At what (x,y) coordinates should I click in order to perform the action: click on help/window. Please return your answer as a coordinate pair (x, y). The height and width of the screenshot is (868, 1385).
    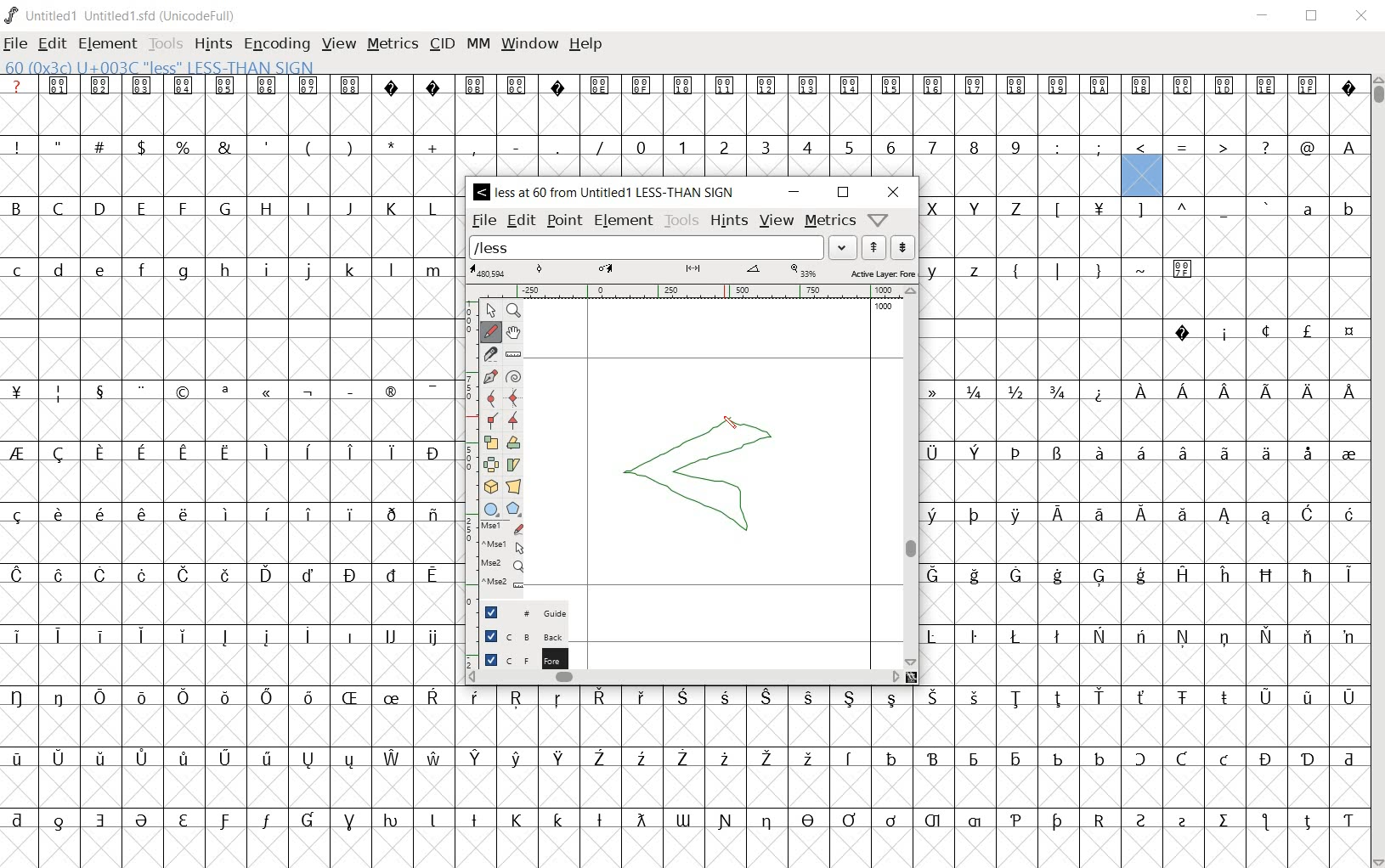
    Looking at the image, I should click on (879, 218).